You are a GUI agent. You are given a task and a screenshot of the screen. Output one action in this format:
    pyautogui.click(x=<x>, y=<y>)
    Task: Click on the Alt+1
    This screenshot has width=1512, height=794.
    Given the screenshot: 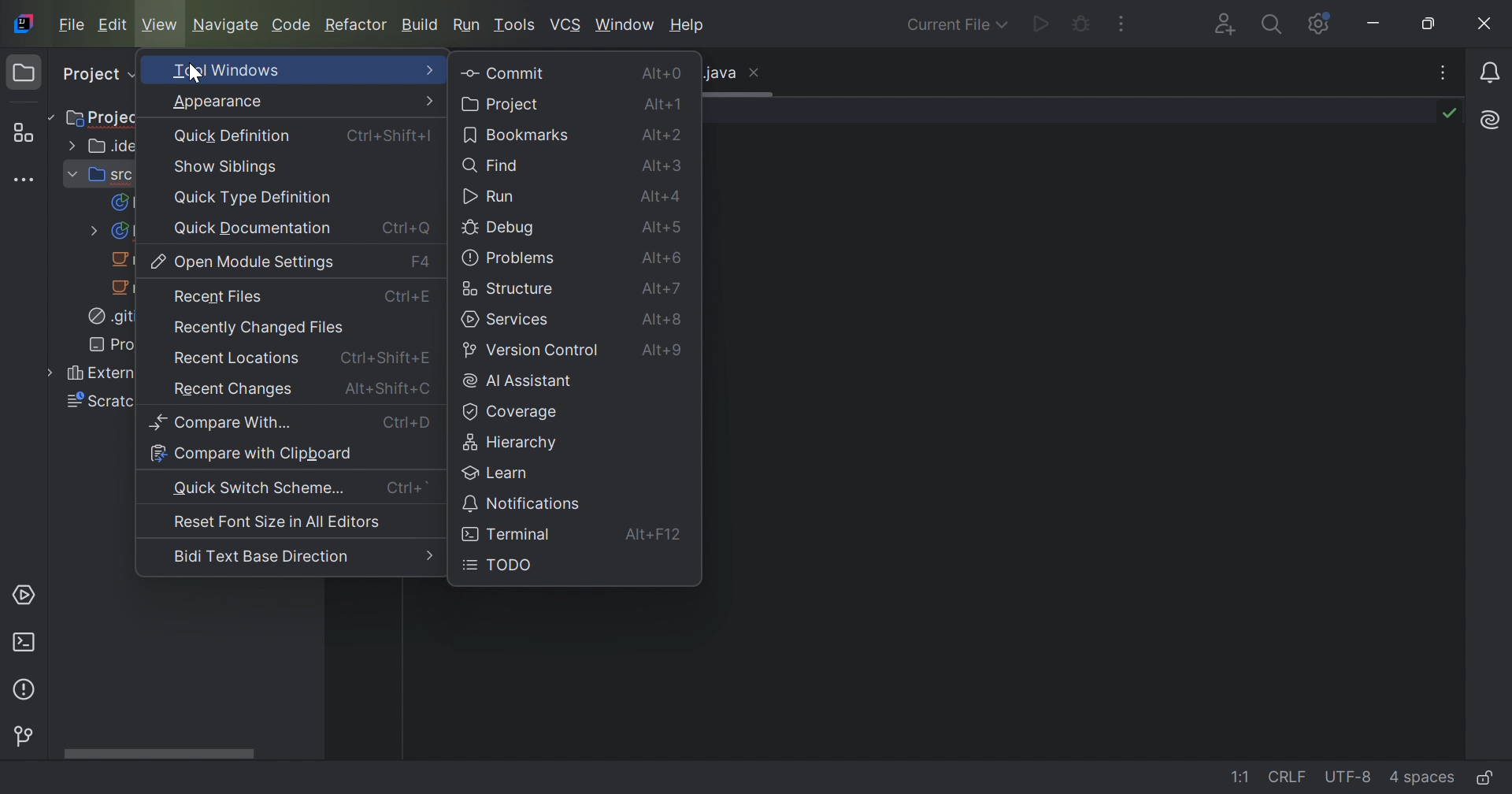 What is the action you would take?
    pyautogui.click(x=666, y=107)
    